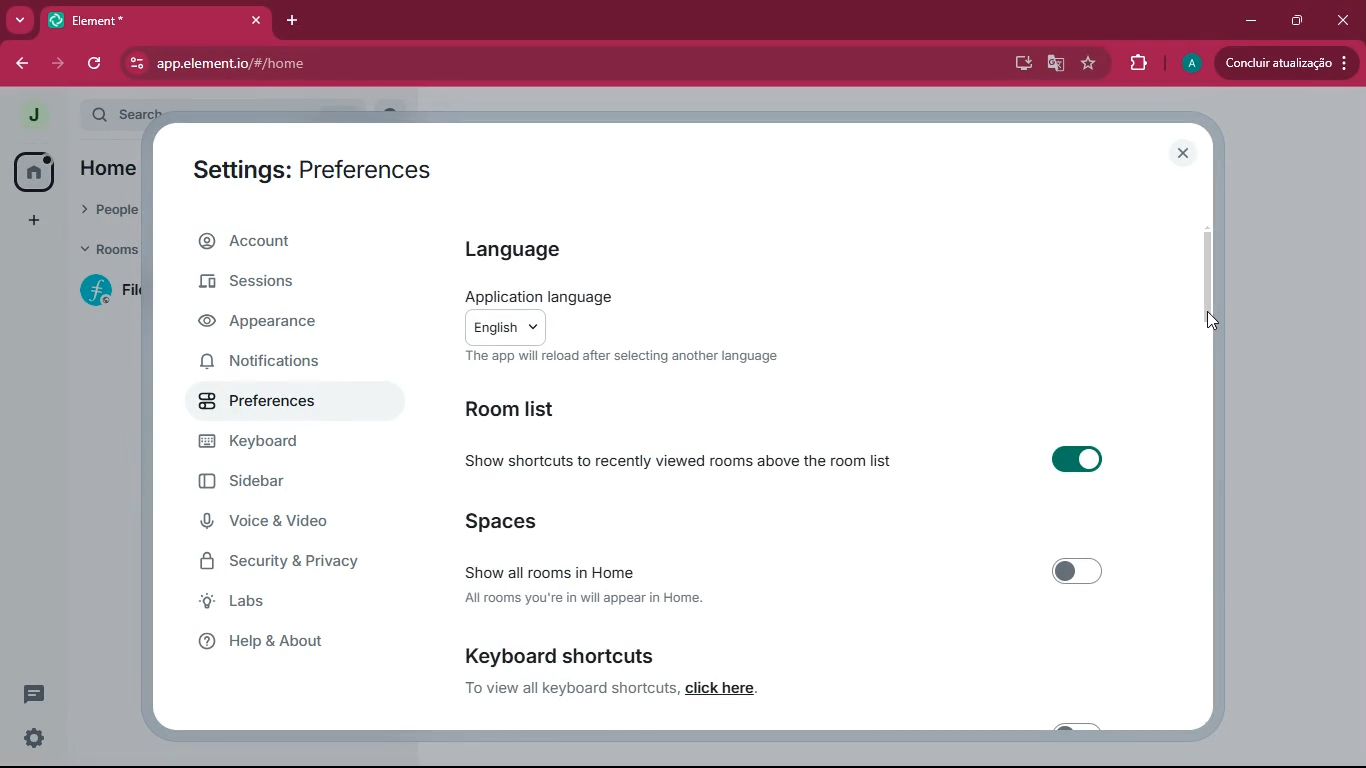 This screenshot has height=768, width=1366. Describe the element at coordinates (55, 63) in the screenshot. I see `forward` at that location.